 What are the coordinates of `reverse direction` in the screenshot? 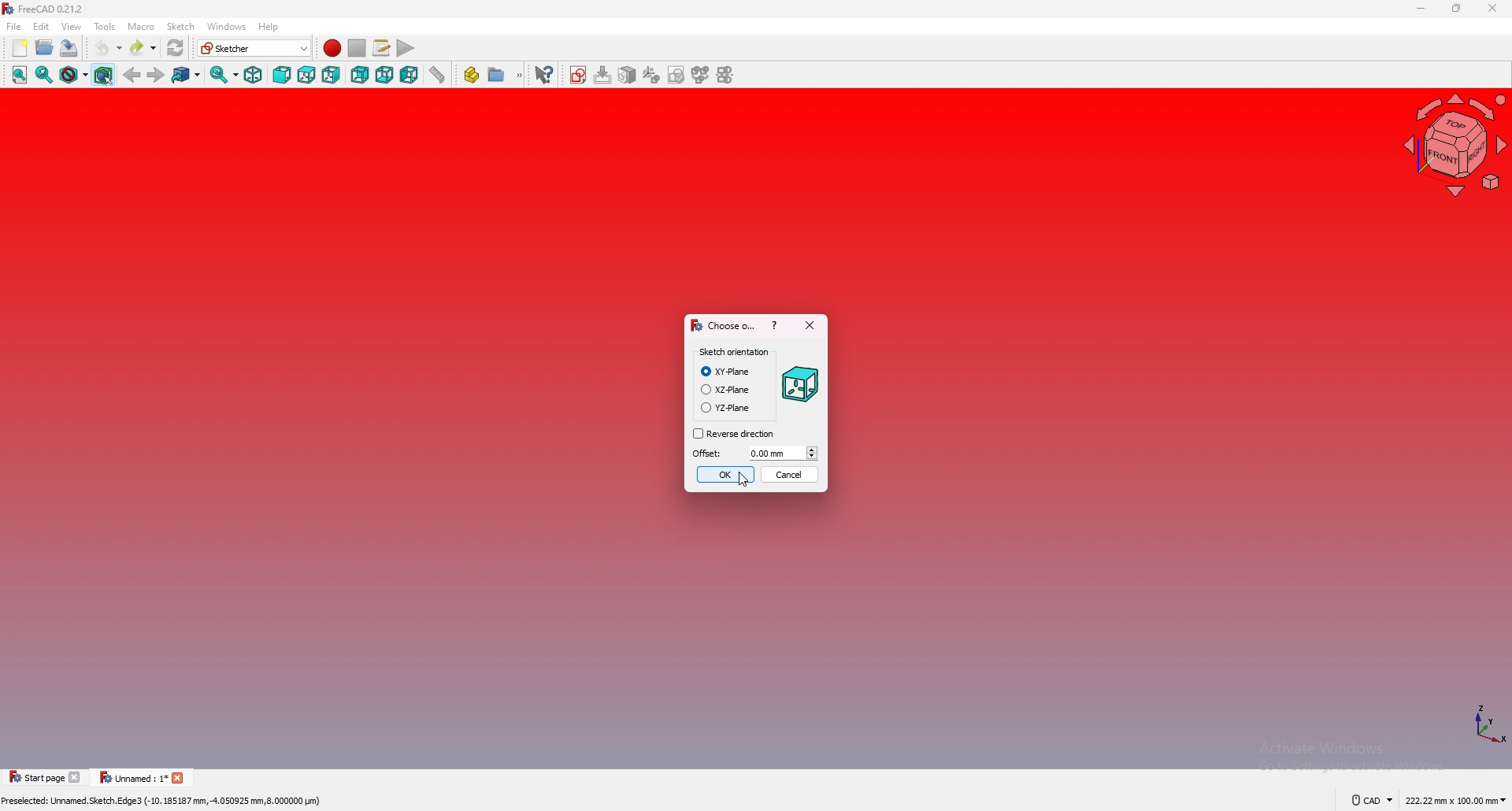 It's located at (734, 434).